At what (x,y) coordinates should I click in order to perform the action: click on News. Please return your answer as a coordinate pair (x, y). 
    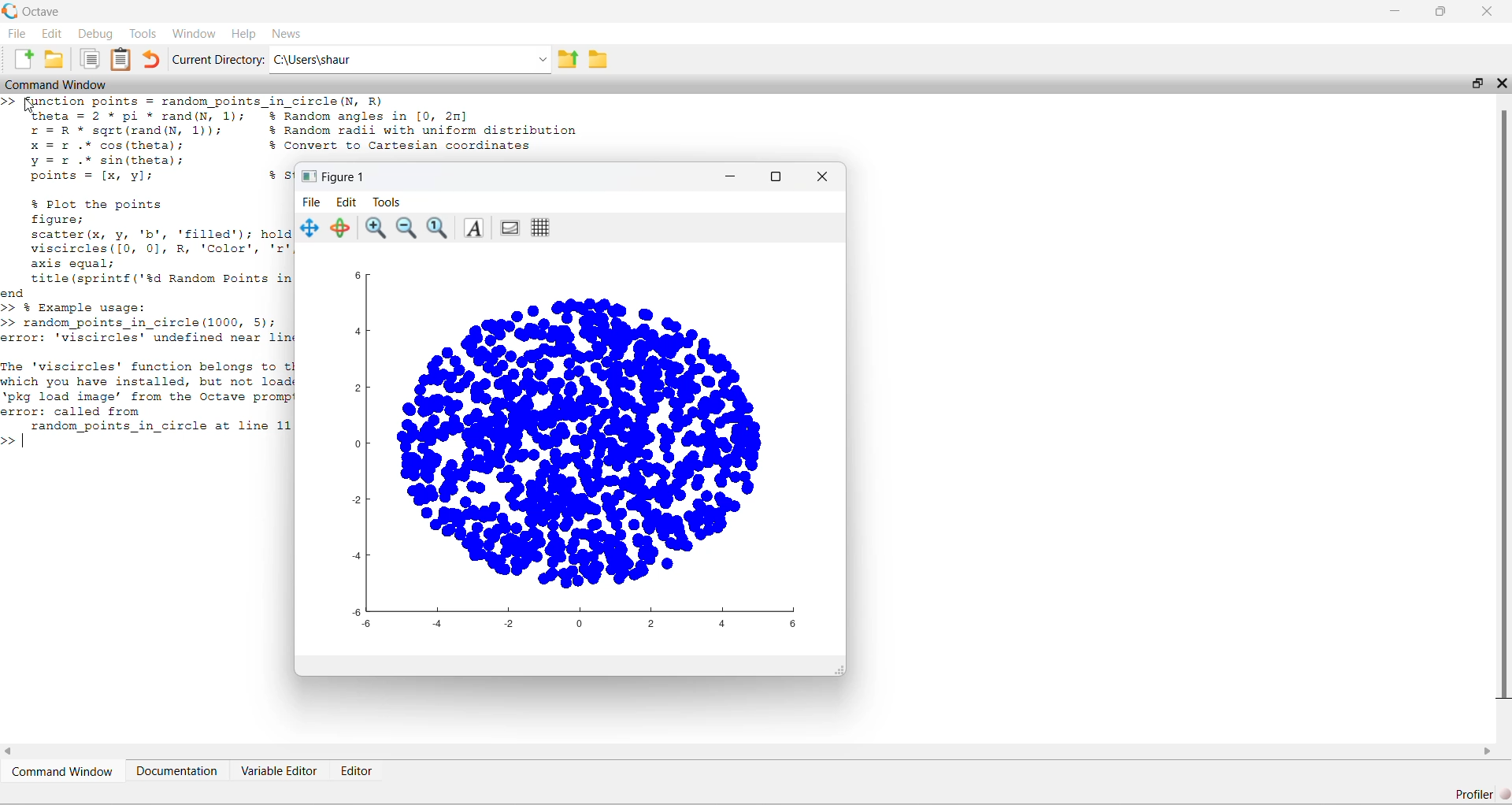
    Looking at the image, I should click on (286, 32).